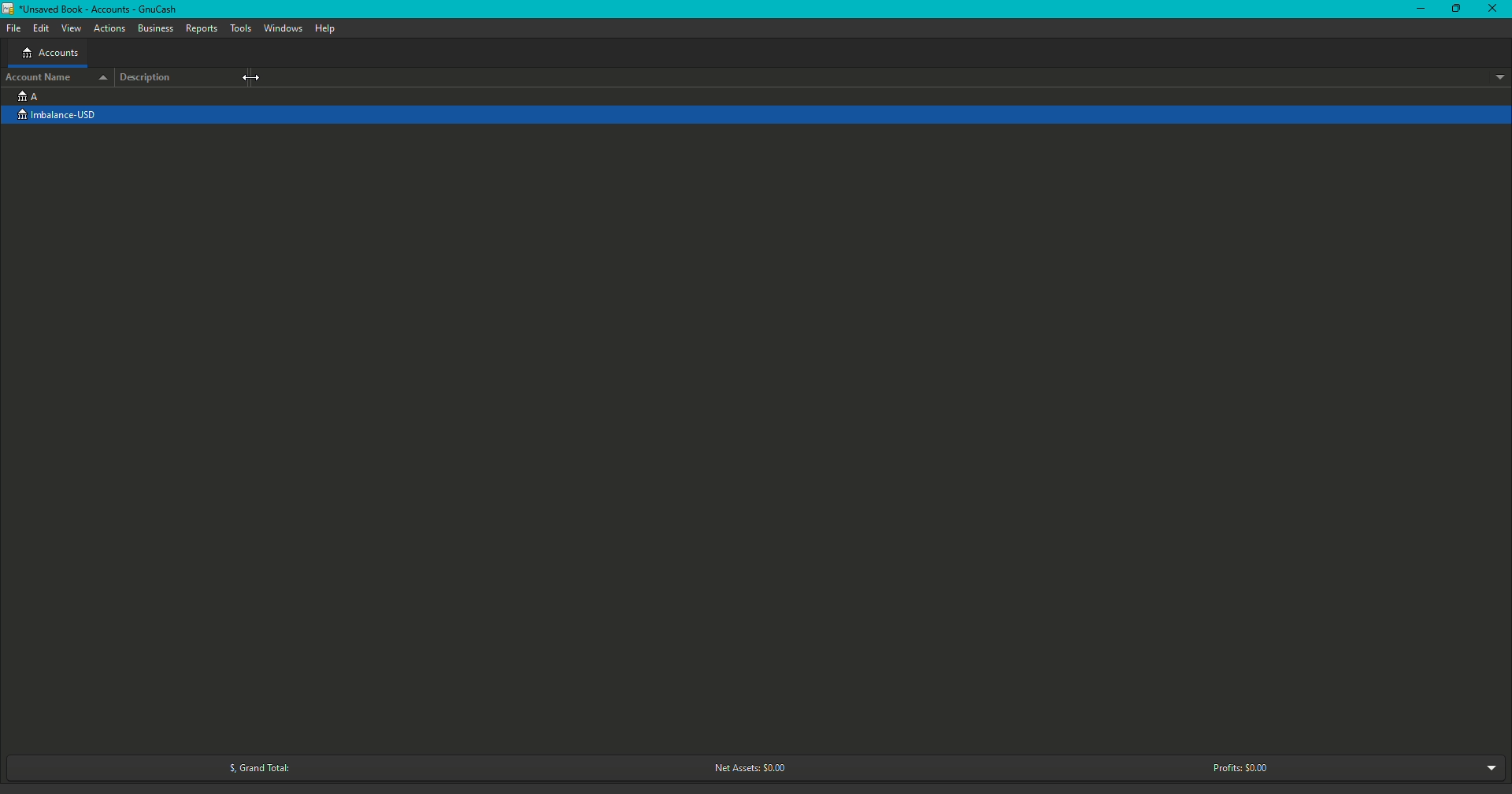 This screenshot has width=1512, height=794. Describe the element at coordinates (254, 79) in the screenshot. I see `Cursor` at that location.